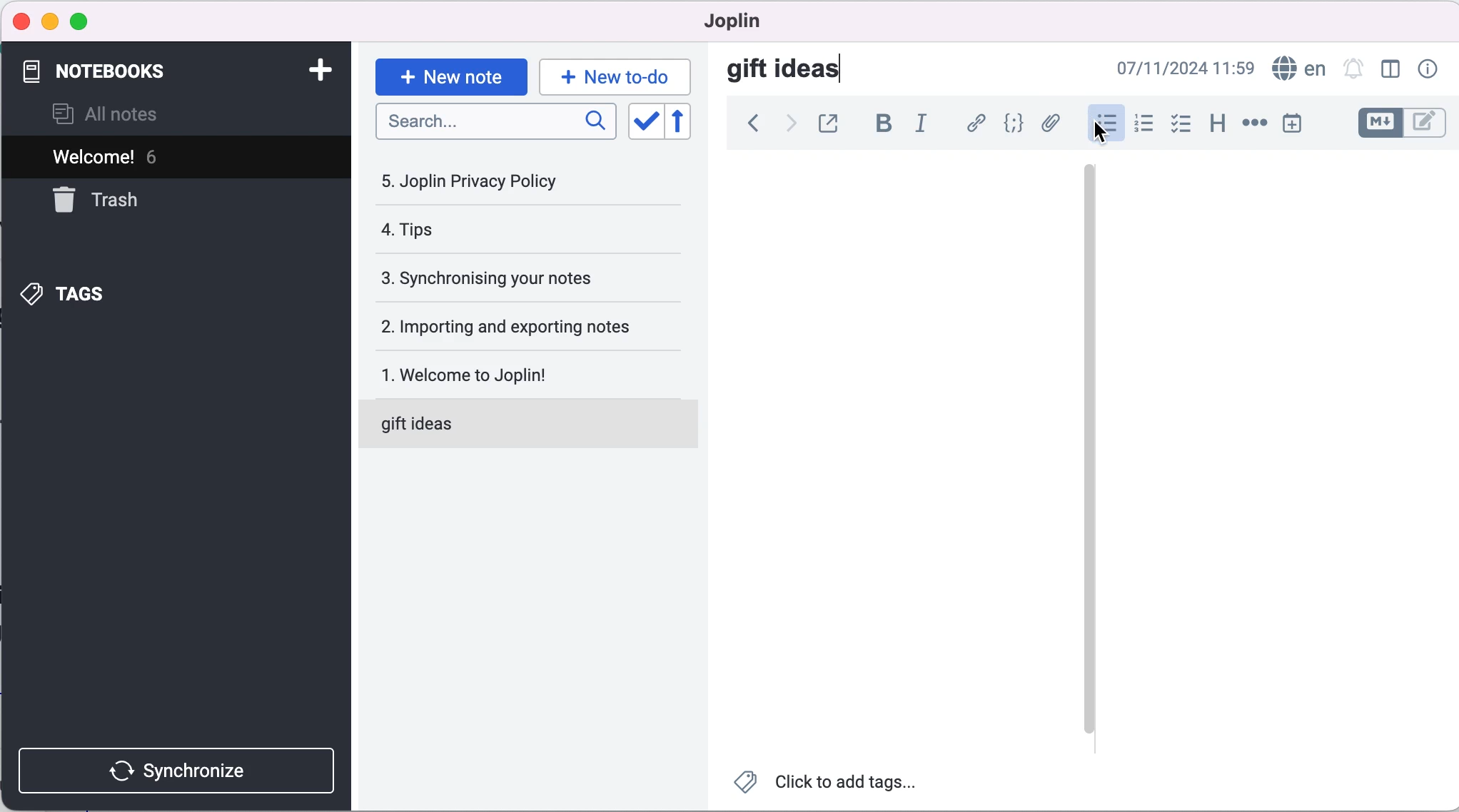  Describe the element at coordinates (831, 123) in the screenshot. I see `toggle external editing` at that location.